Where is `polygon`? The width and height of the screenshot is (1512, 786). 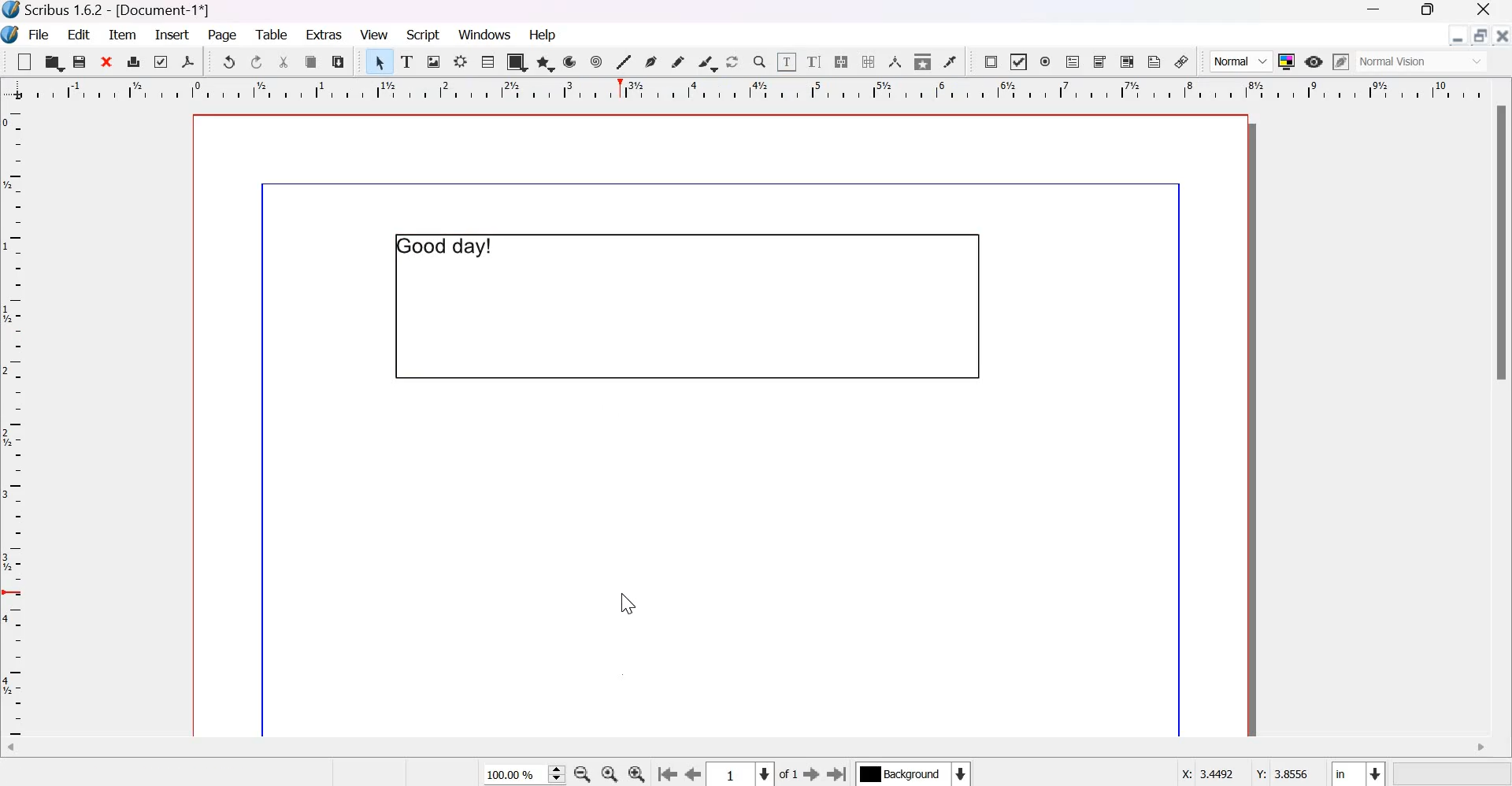 polygon is located at coordinates (547, 63).